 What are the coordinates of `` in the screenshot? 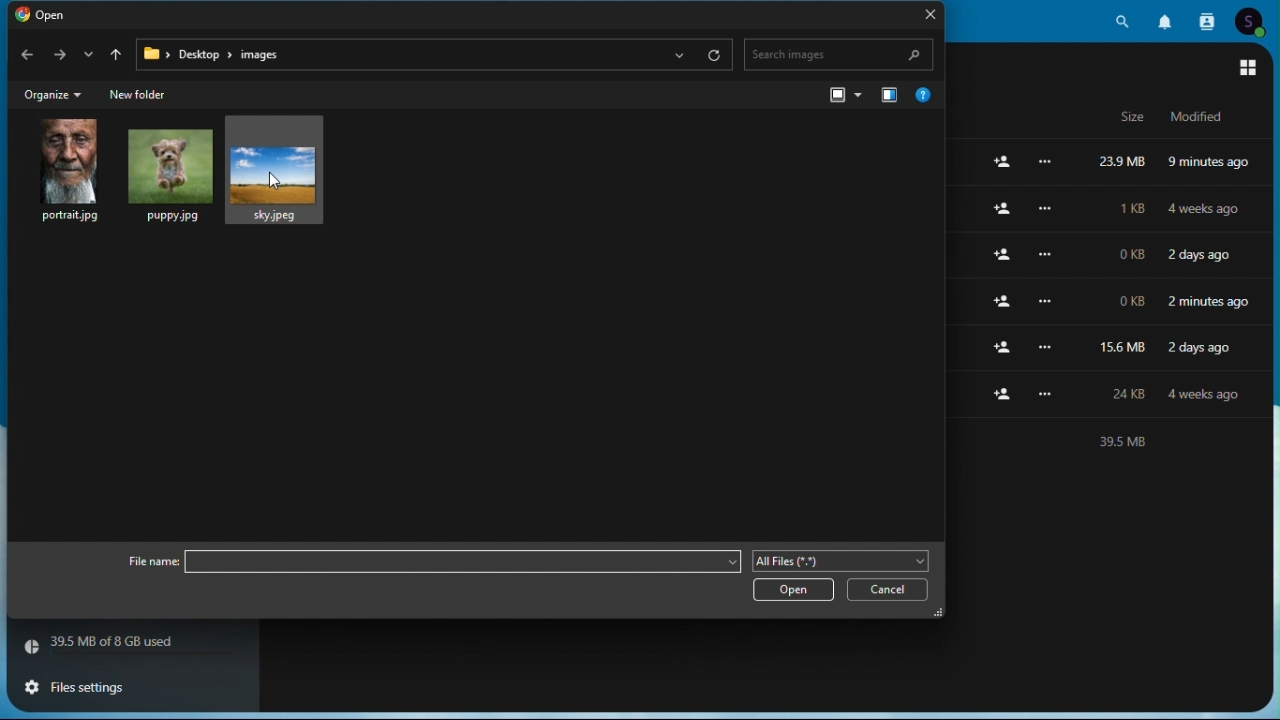 It's located at (1114, 299).